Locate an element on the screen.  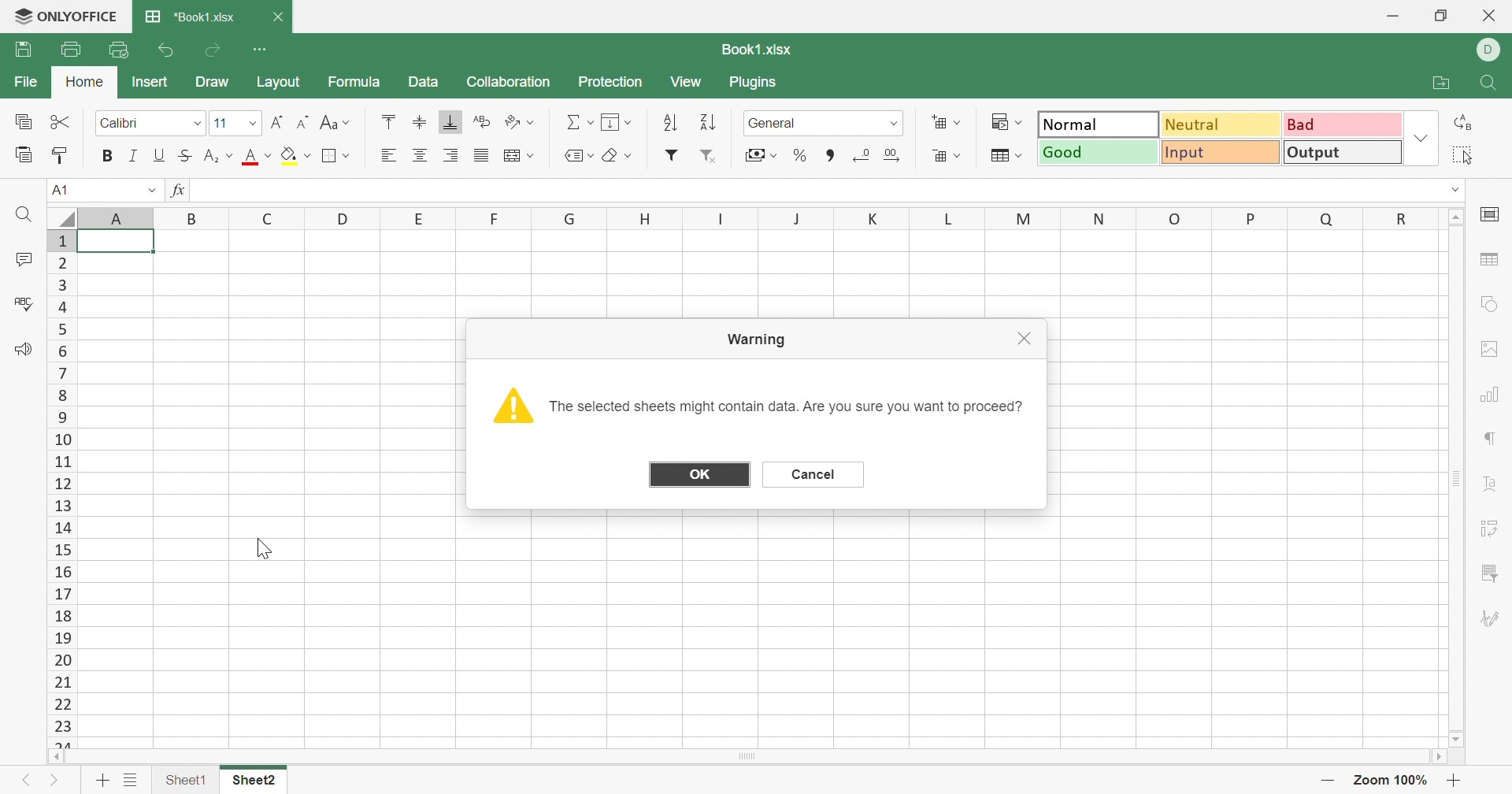
- is located at coordinates (1331, 781).